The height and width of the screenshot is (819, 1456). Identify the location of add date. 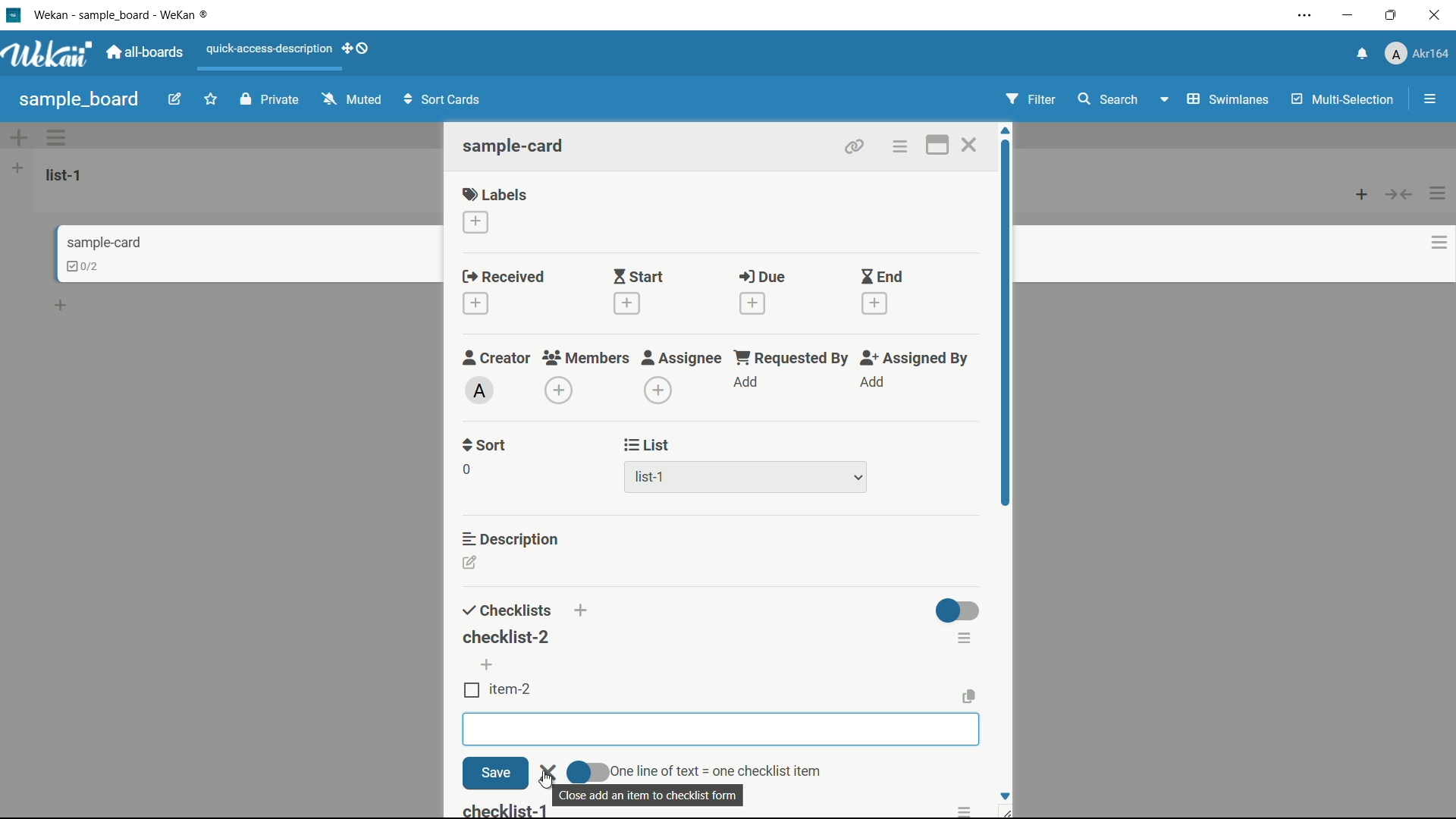
(875, 304).